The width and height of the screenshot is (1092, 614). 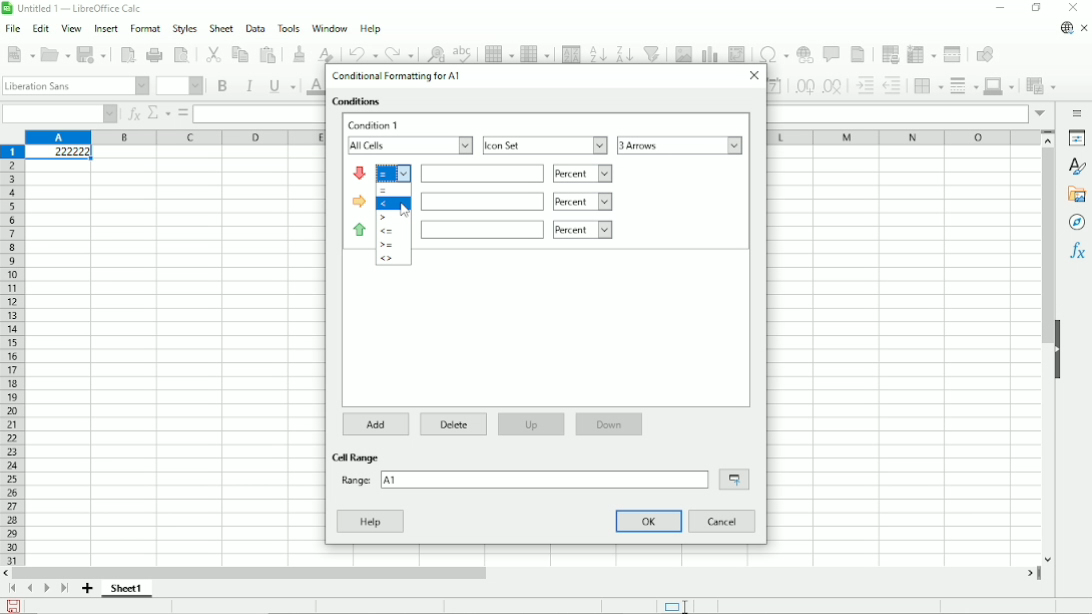 What do you see at coordinates (358, 102) in the screenshot?
I see `Conditions` at bounding box center [358, 102].